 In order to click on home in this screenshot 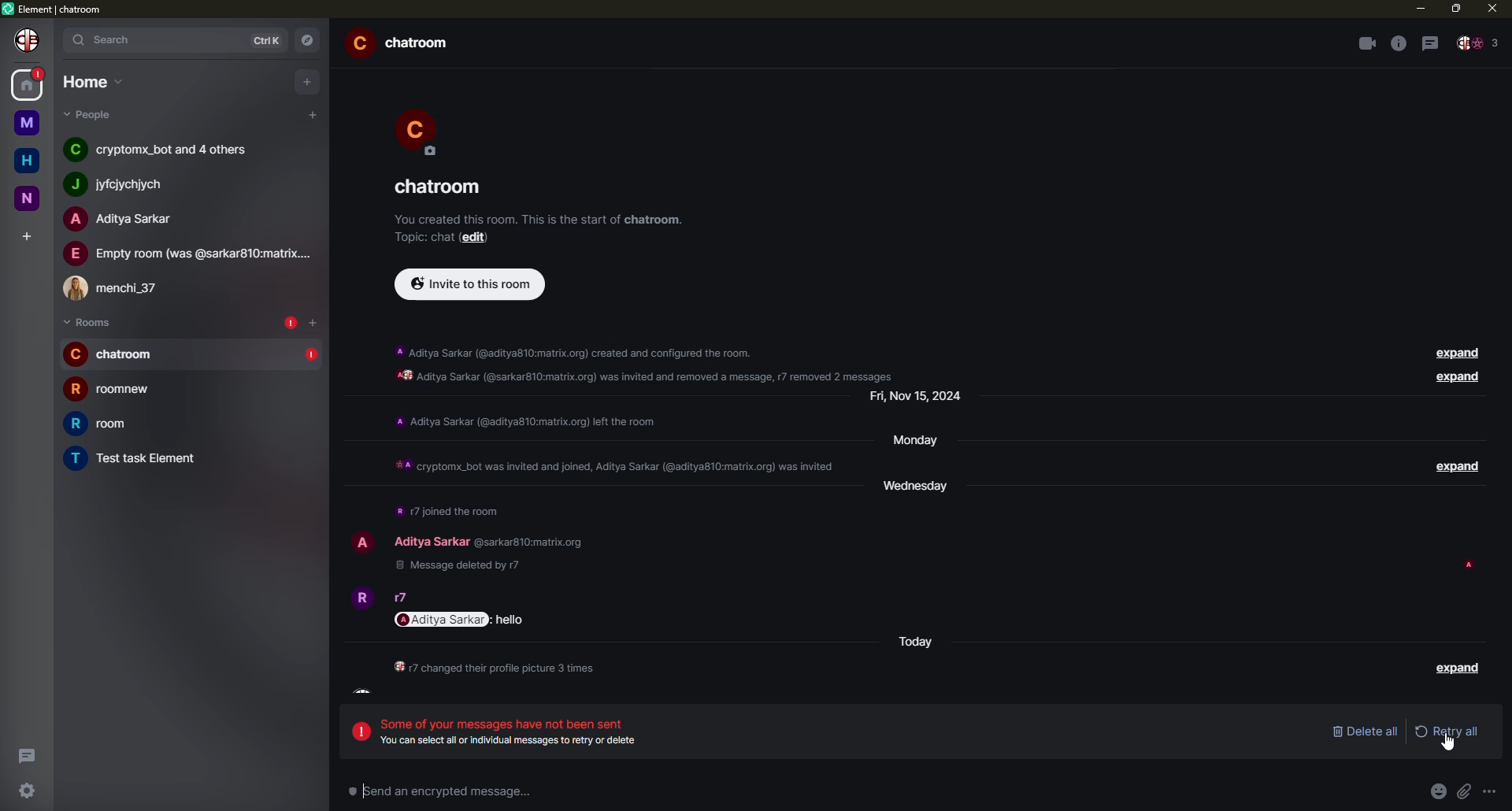, I will do `click(91, 80)`.